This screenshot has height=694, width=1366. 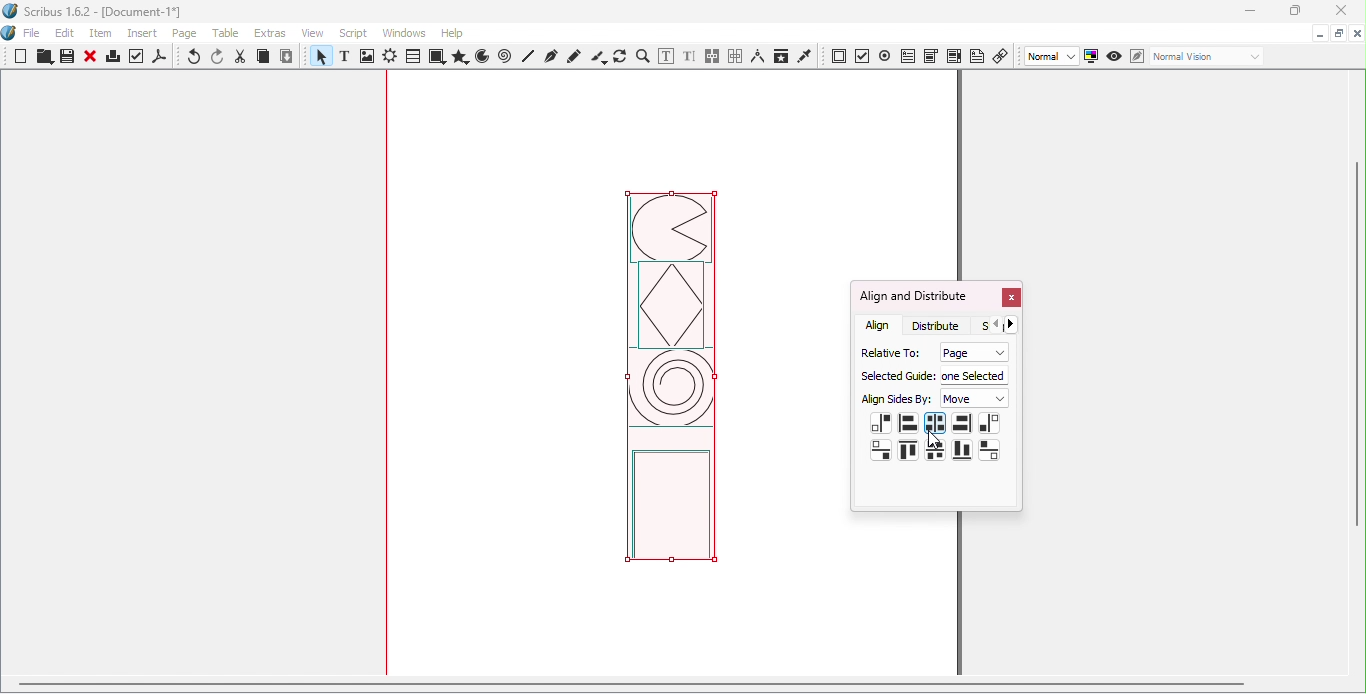 I want to click on Measurements, so click(x=757, y=56).